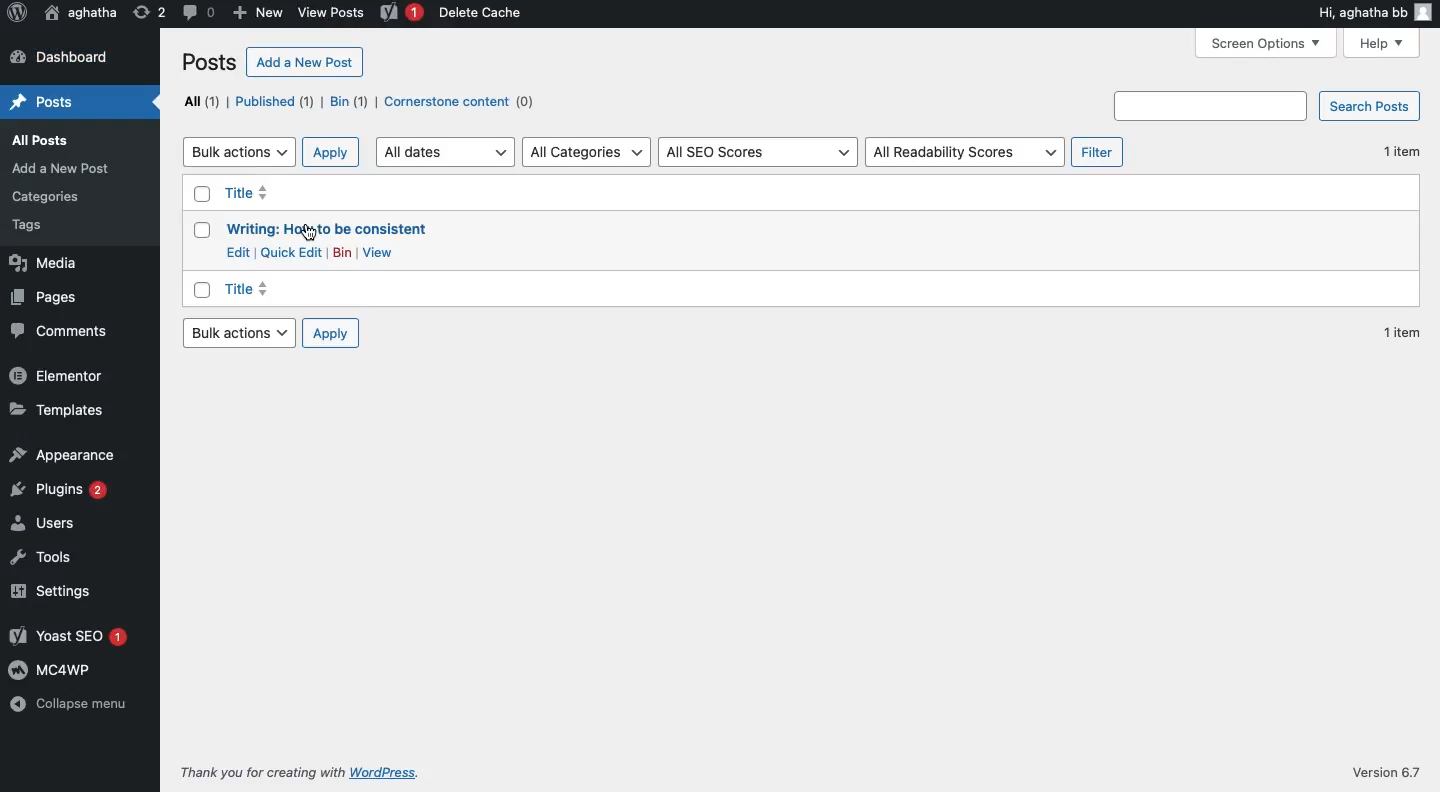 This screenshot has width=1440, height=792. Describe the element at coordinates (235, 253) in the screenshot. I see `Edit` at that location.